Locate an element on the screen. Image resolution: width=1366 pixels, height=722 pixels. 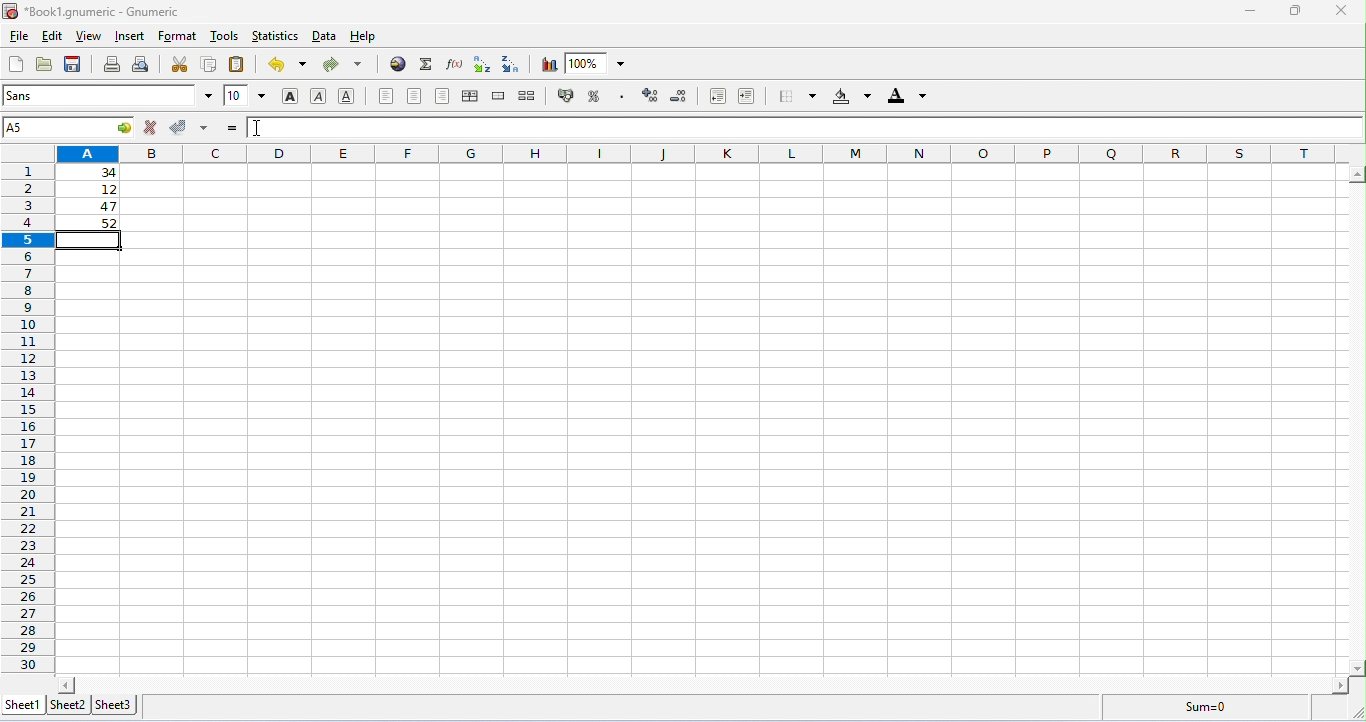
tools is located at coordinates (225, 35).